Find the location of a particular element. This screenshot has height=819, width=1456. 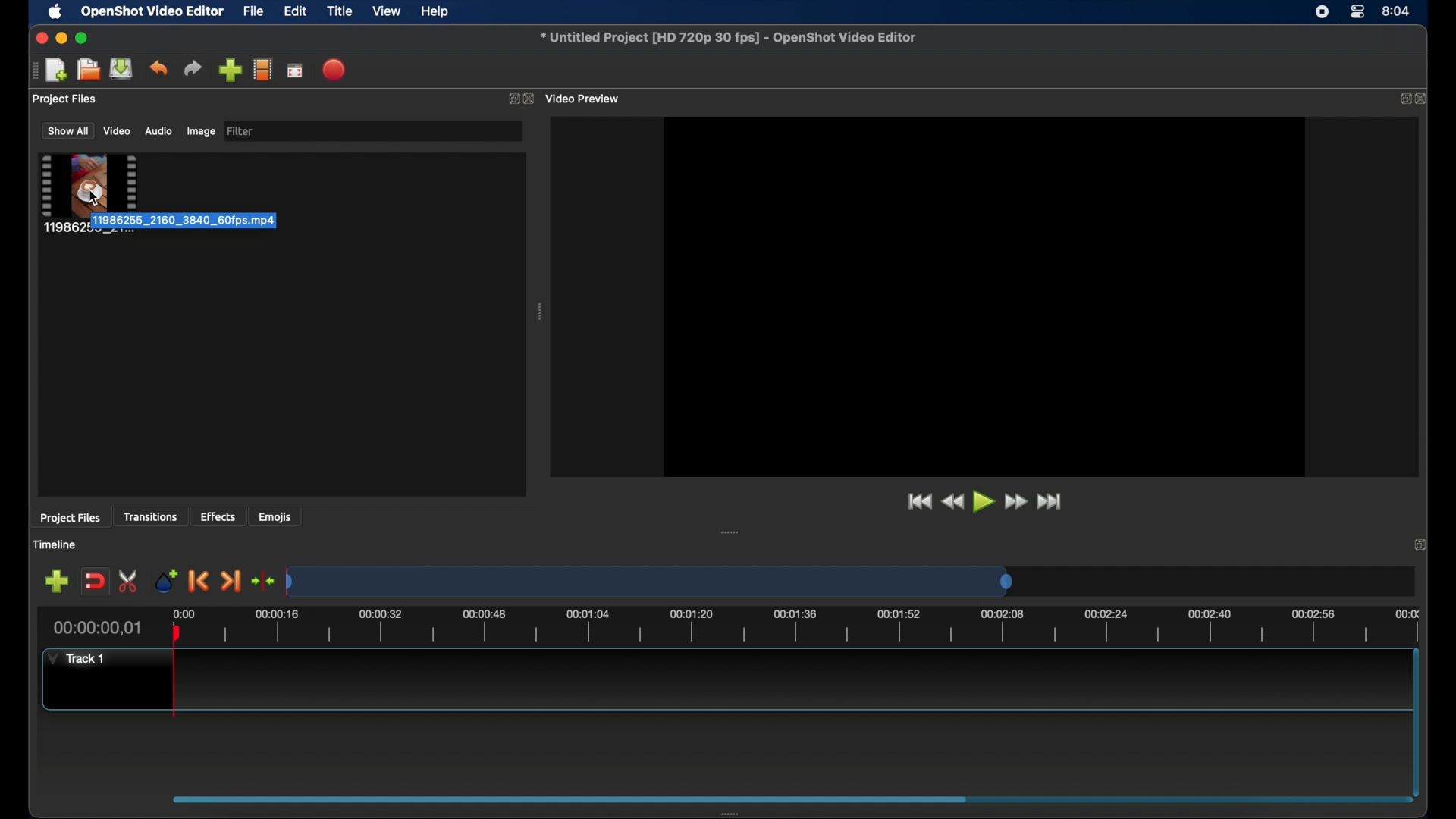

jump to start is located at coordinates (919, 501).